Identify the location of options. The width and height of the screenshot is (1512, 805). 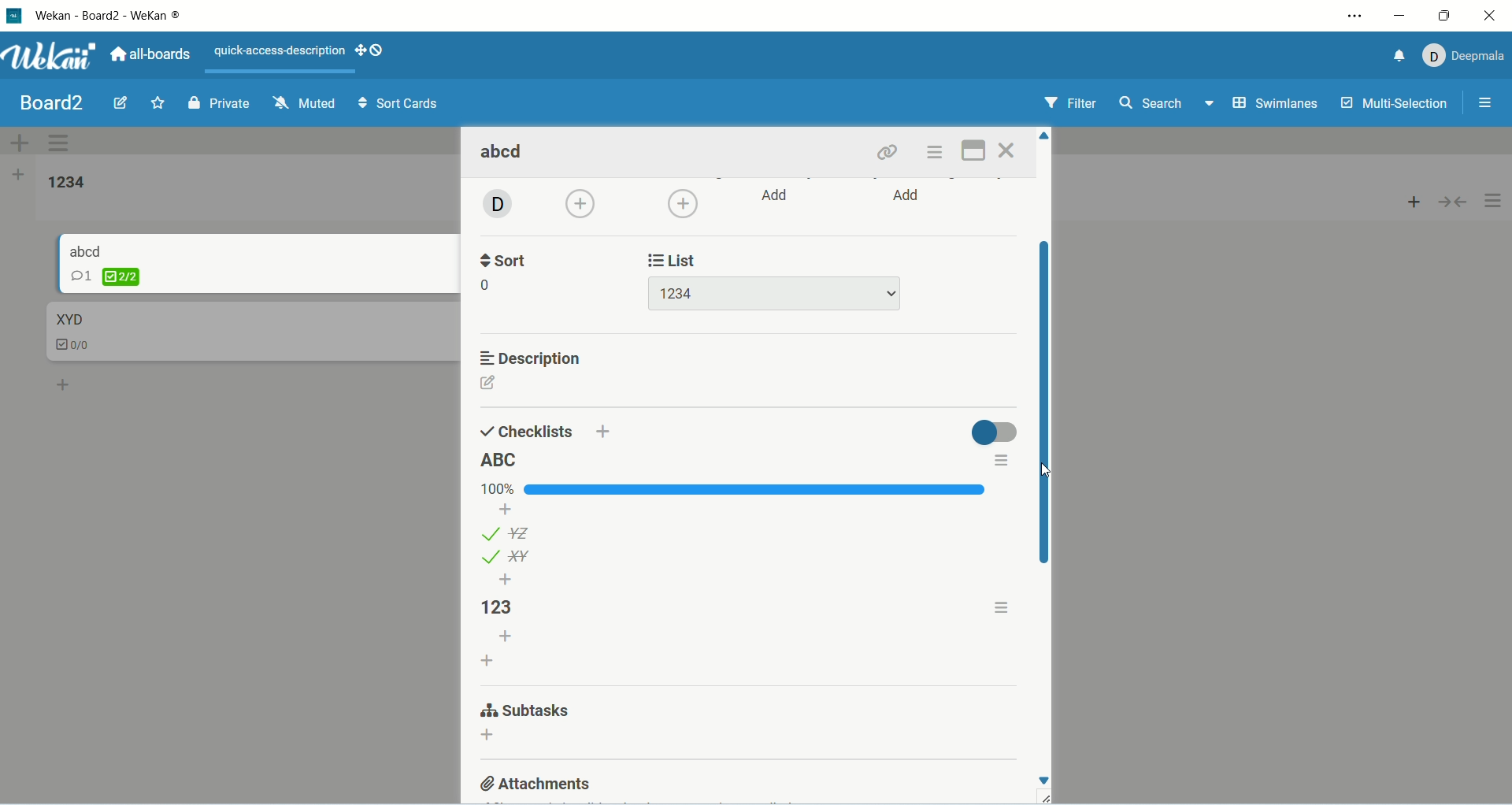
(938, 153).